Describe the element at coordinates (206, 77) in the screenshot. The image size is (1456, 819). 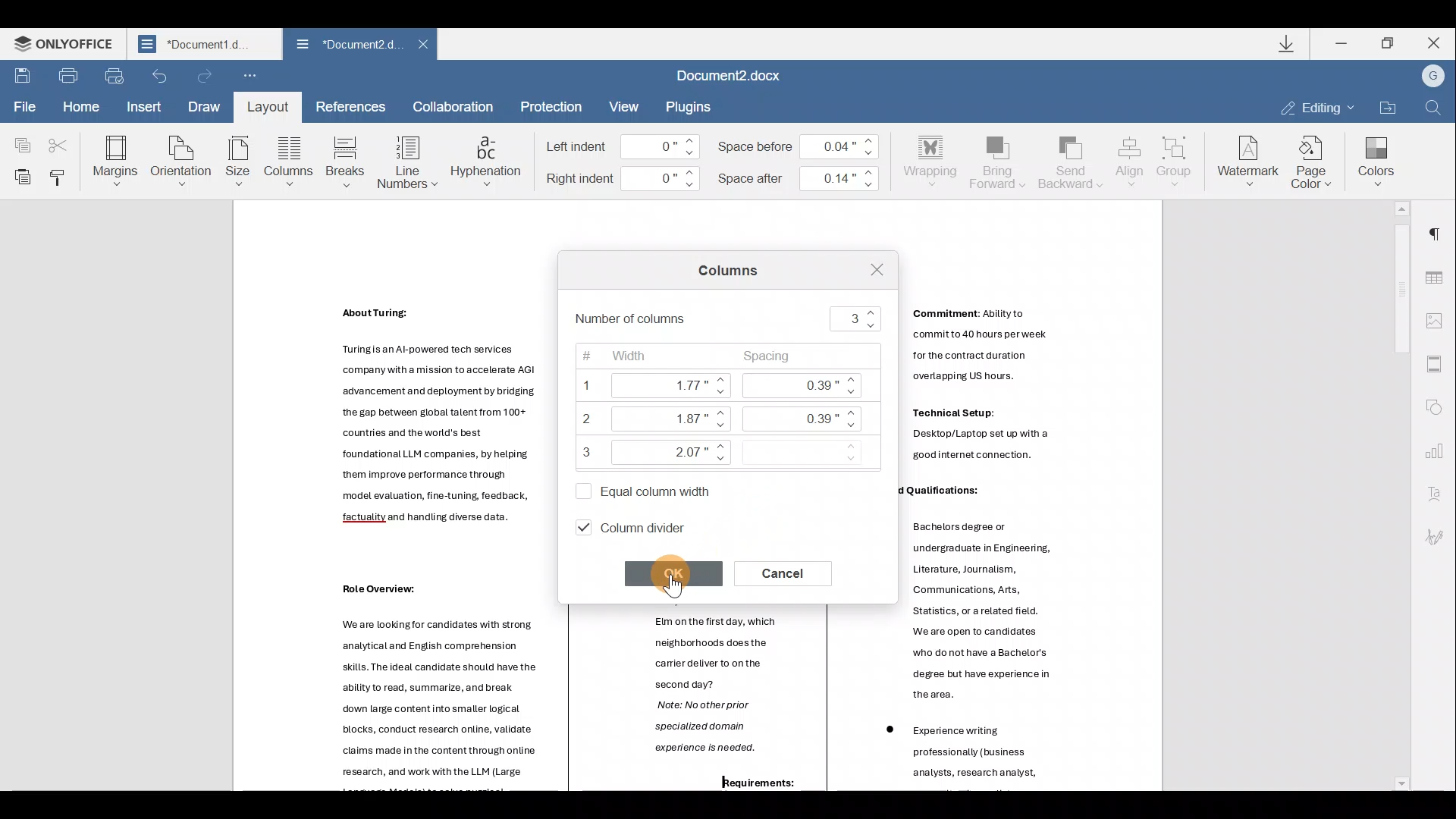
I see `Redo` at that location.